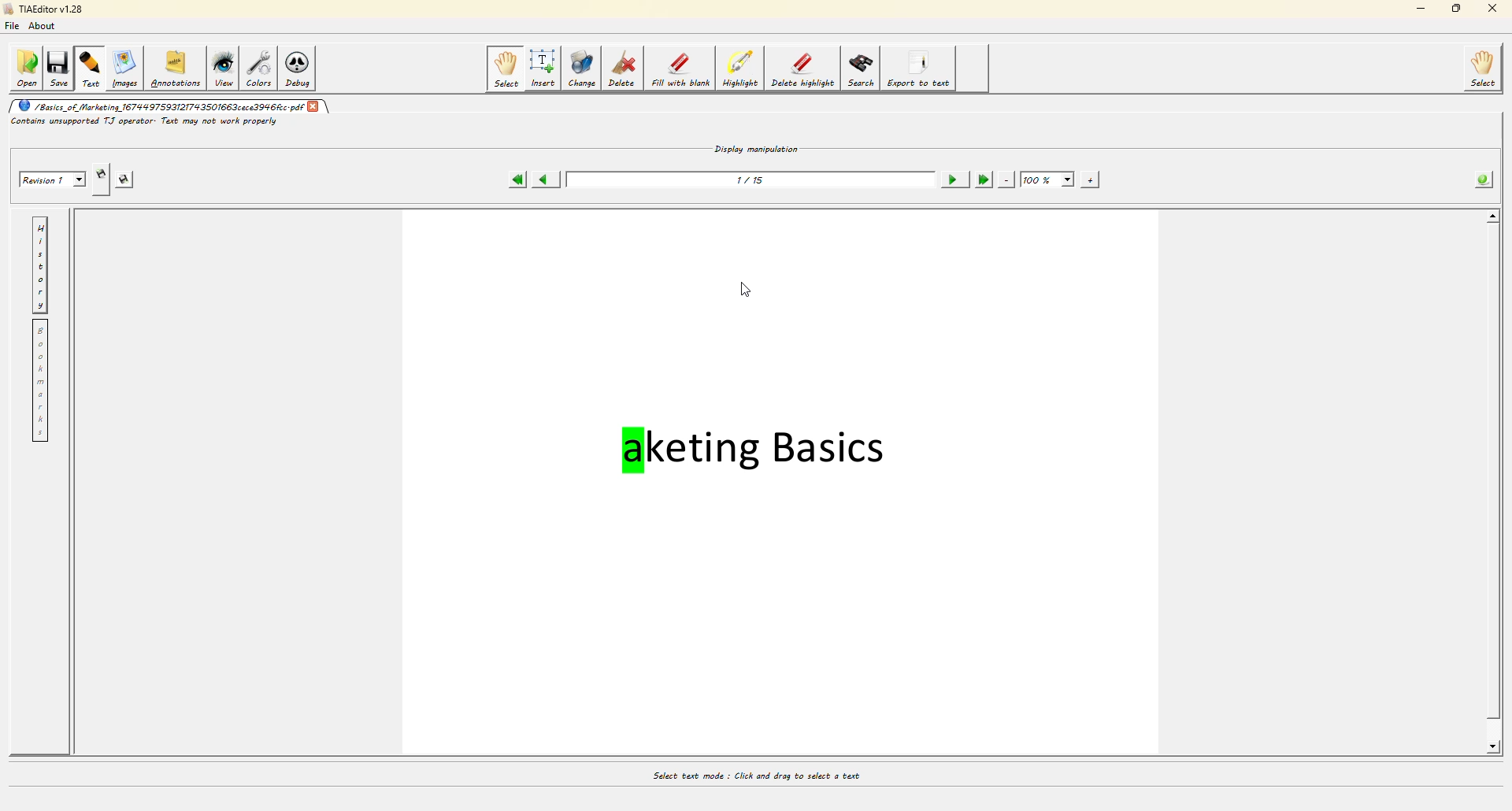  Describe the element at coordinates (176, 69) in the screenshot. I see `annotations` at that location.